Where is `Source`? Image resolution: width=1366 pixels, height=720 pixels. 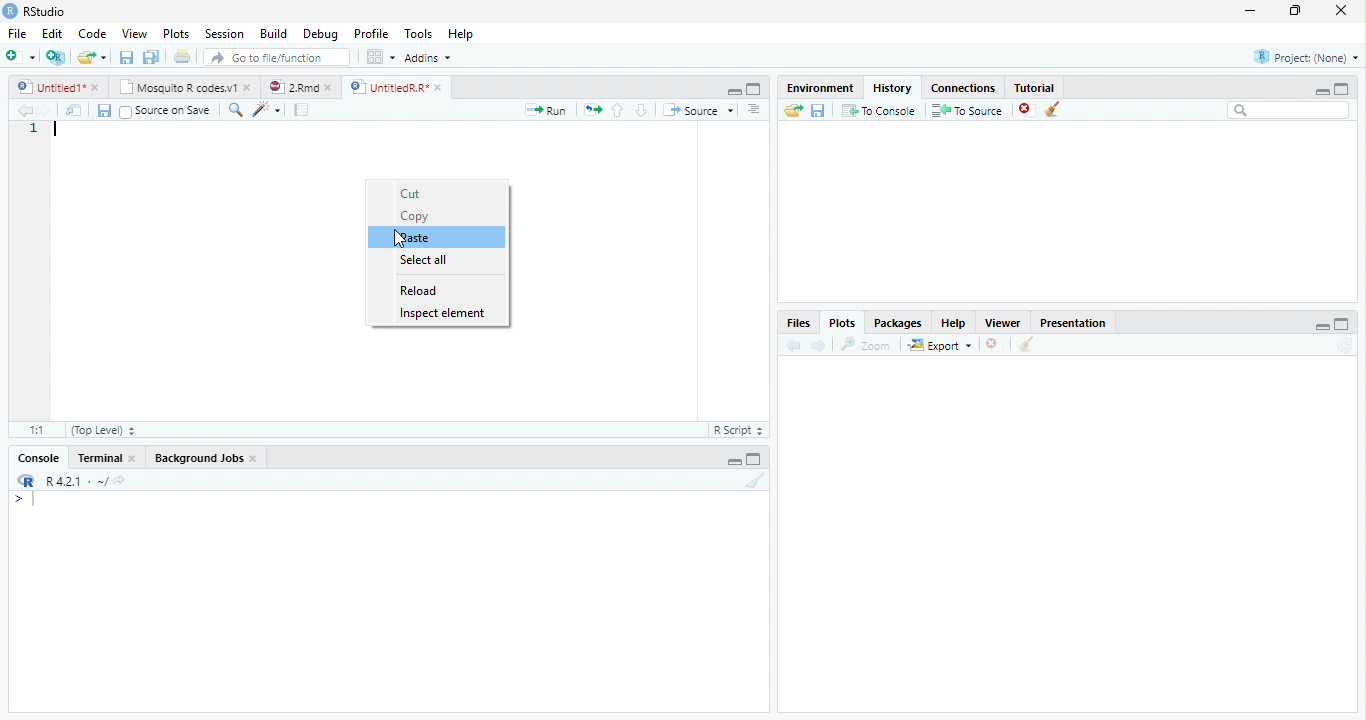 Source is located at coordinates (698, 110).